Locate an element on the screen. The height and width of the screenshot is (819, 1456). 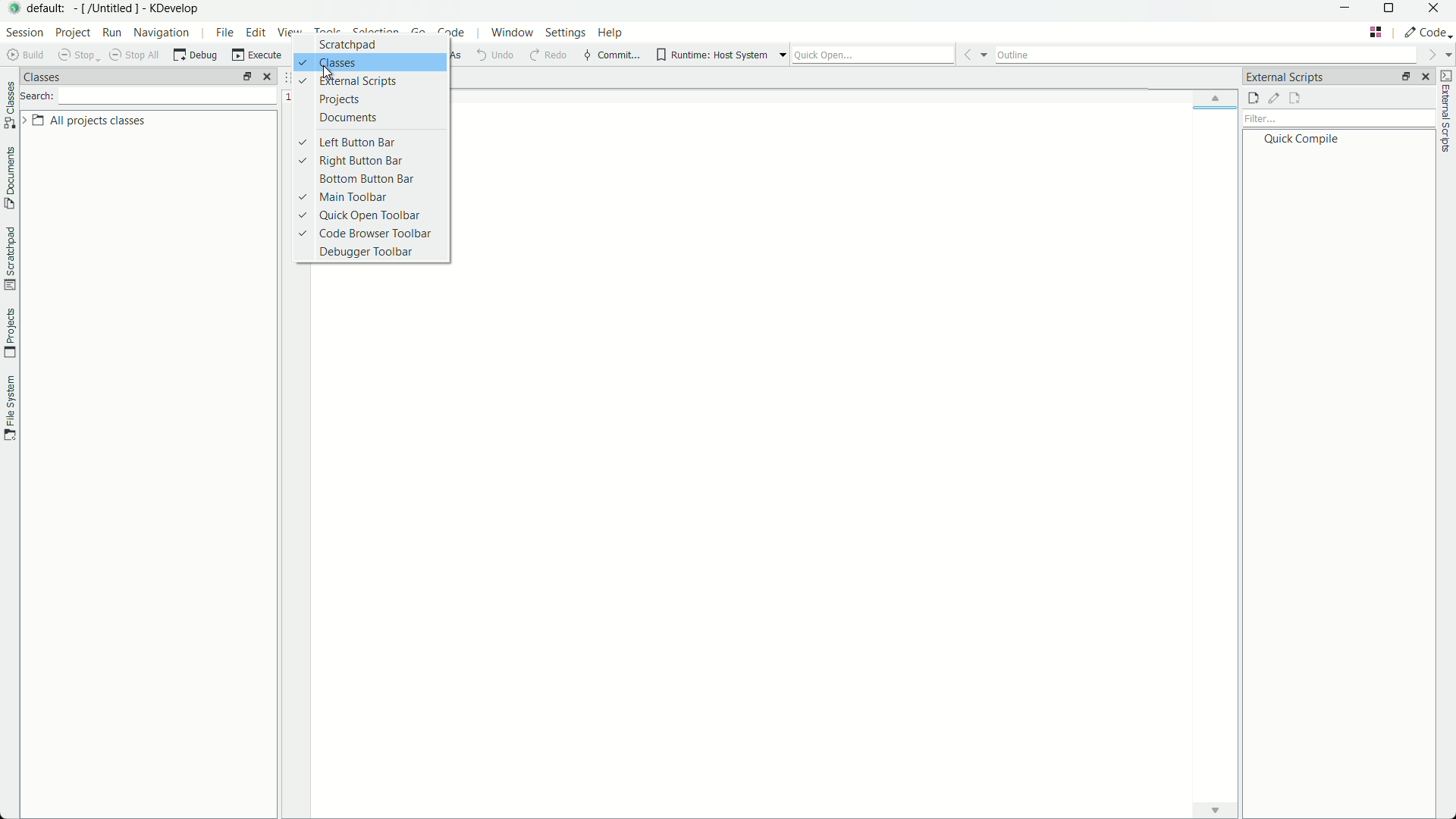
 is located at coordinates (374, 47).